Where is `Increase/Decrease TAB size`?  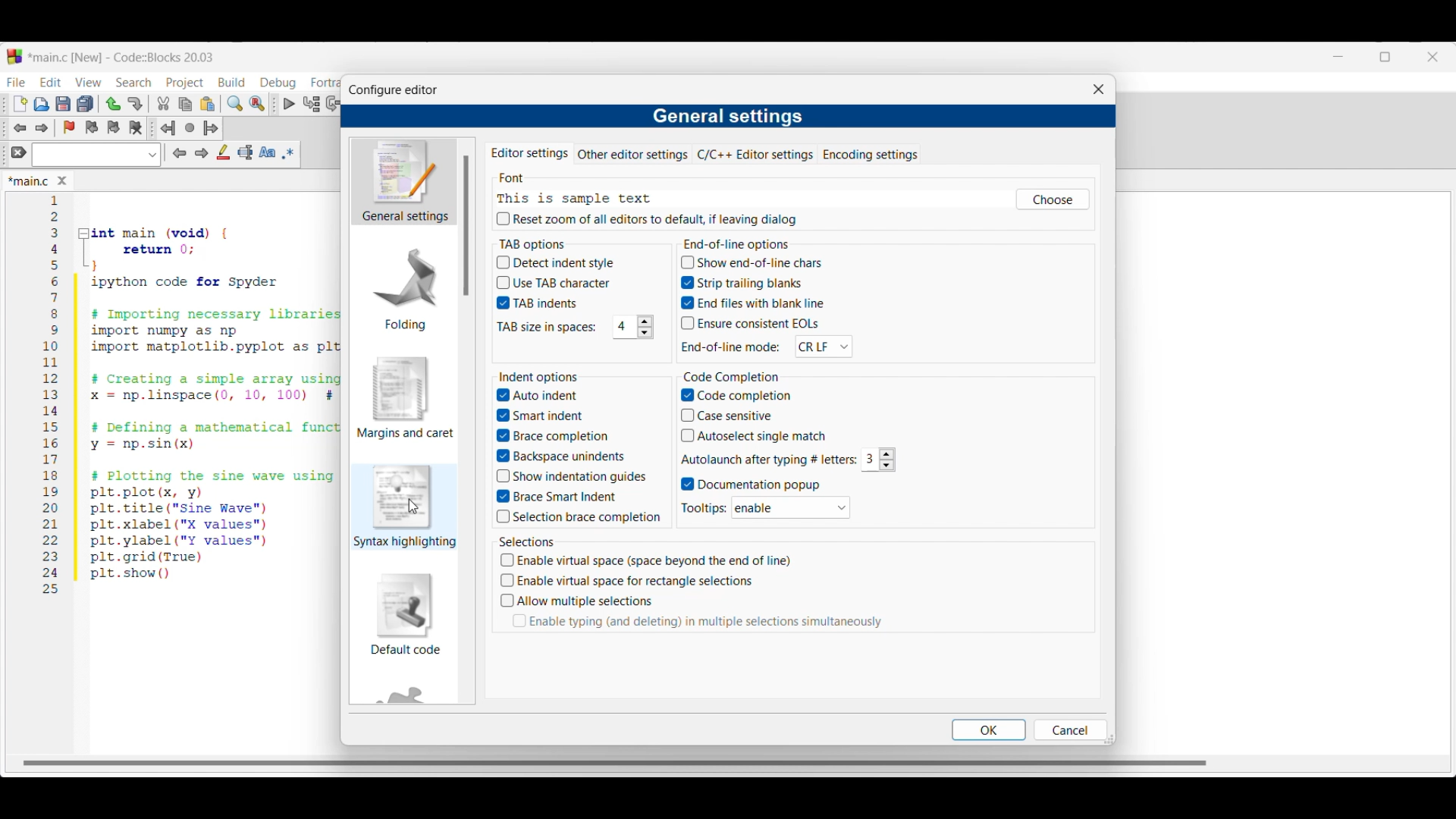
Increase/Decrease TAB size is located at coordinates (645, 327).